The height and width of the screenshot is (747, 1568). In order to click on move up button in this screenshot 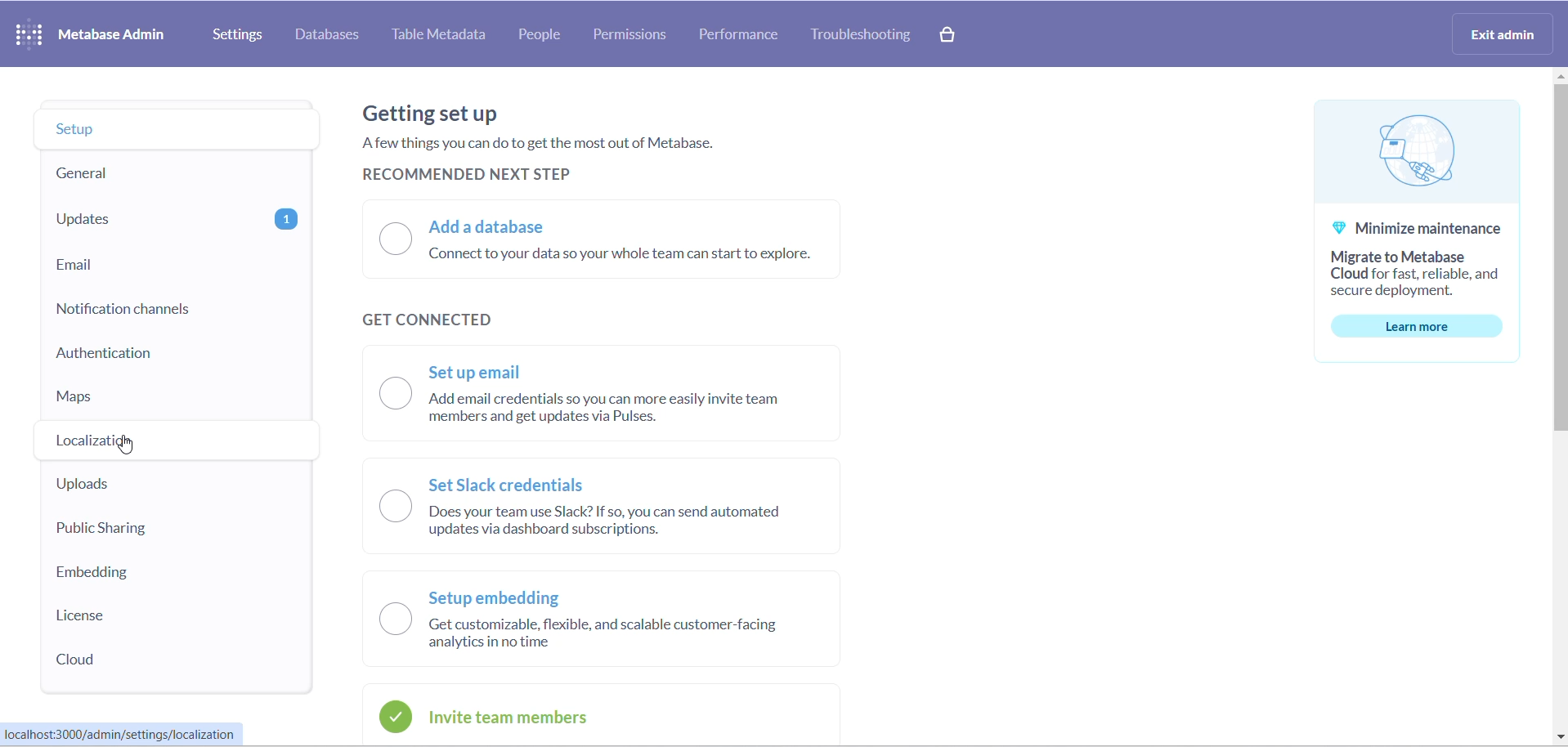, I will do `click(1558, 79)`.